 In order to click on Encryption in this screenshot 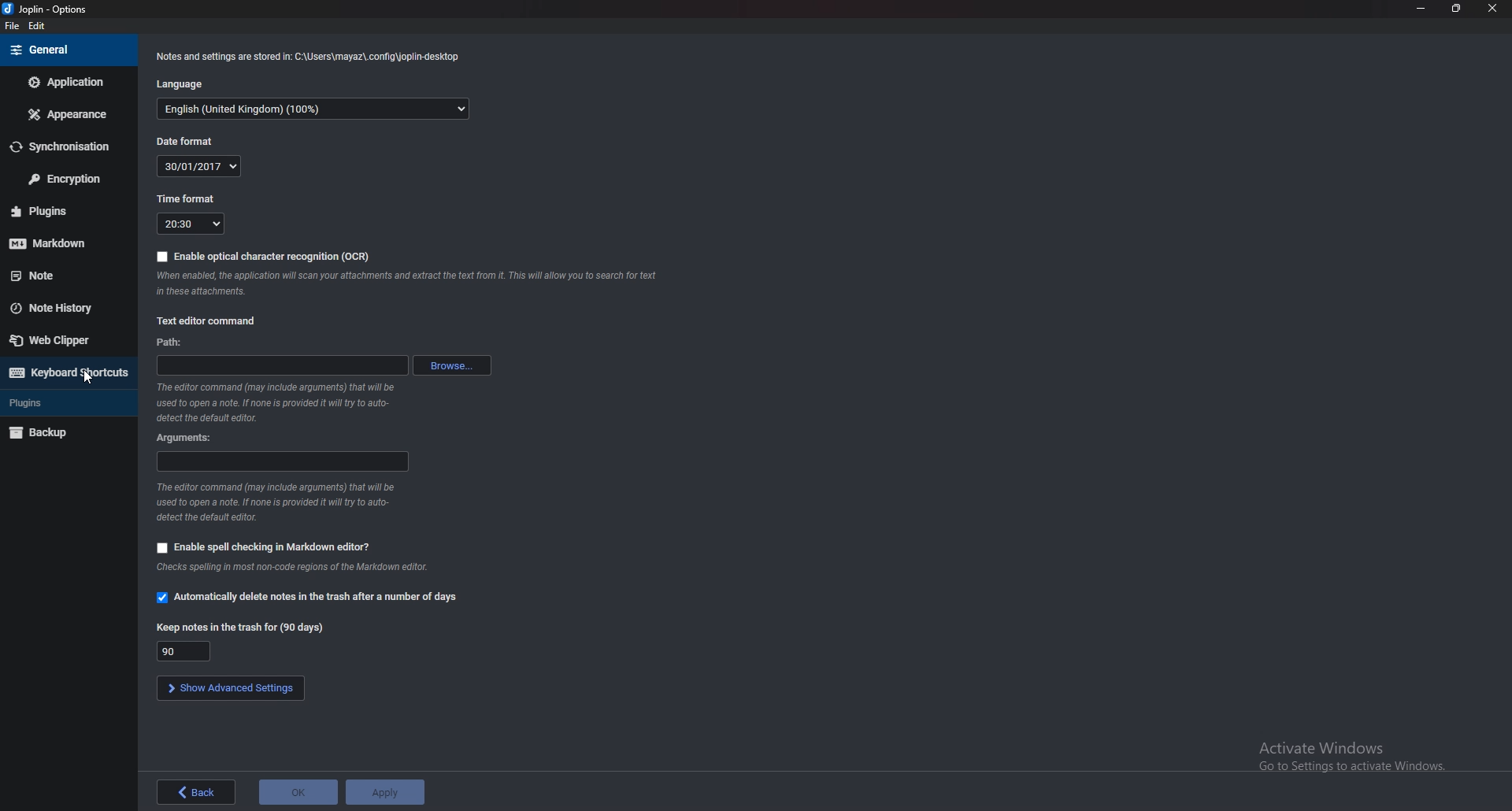, I will do `click(65, 179)`.